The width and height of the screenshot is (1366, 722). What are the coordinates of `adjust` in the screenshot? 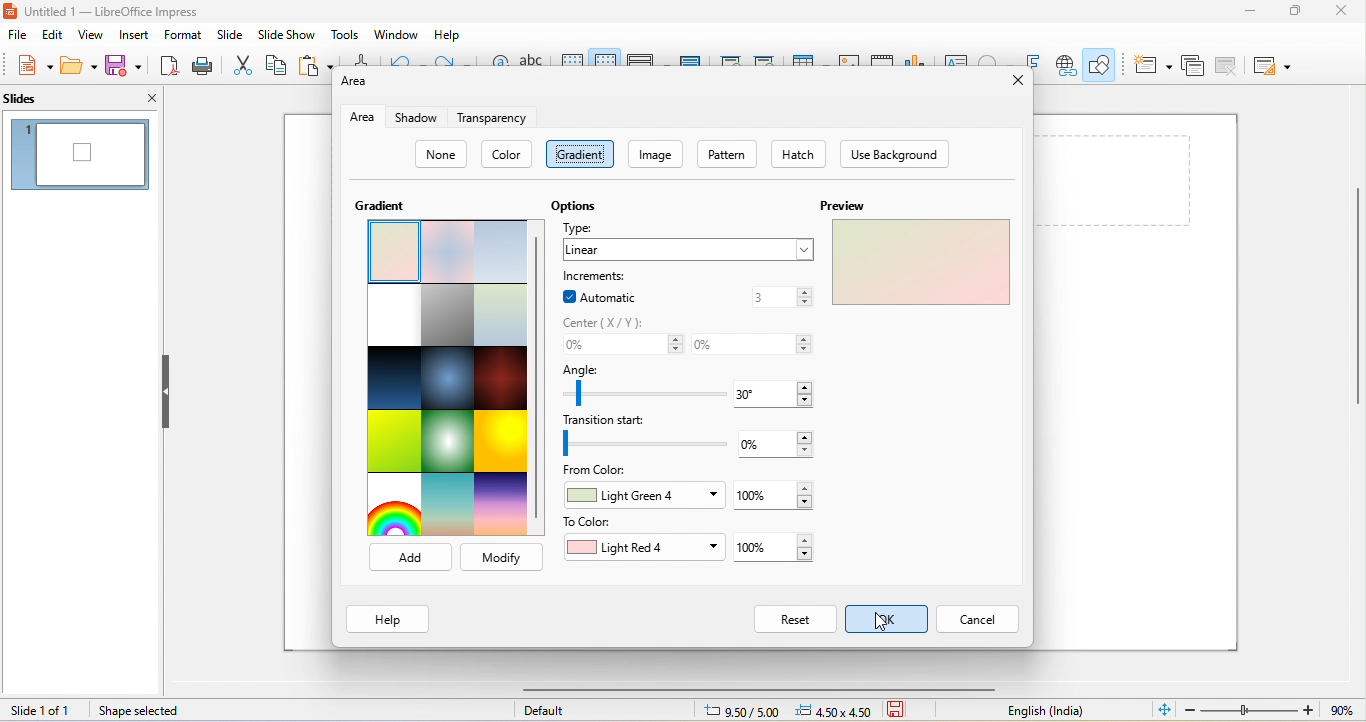 It's located at (673, 343).